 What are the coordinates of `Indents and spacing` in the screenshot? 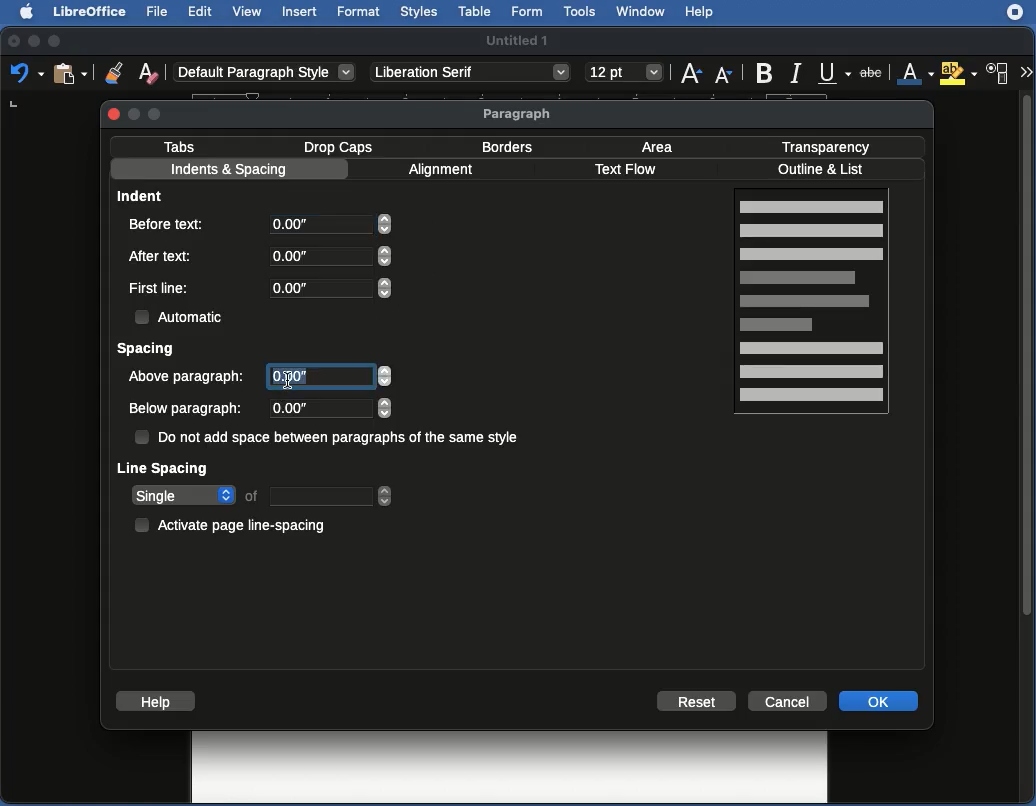 It's located at (229, 171).